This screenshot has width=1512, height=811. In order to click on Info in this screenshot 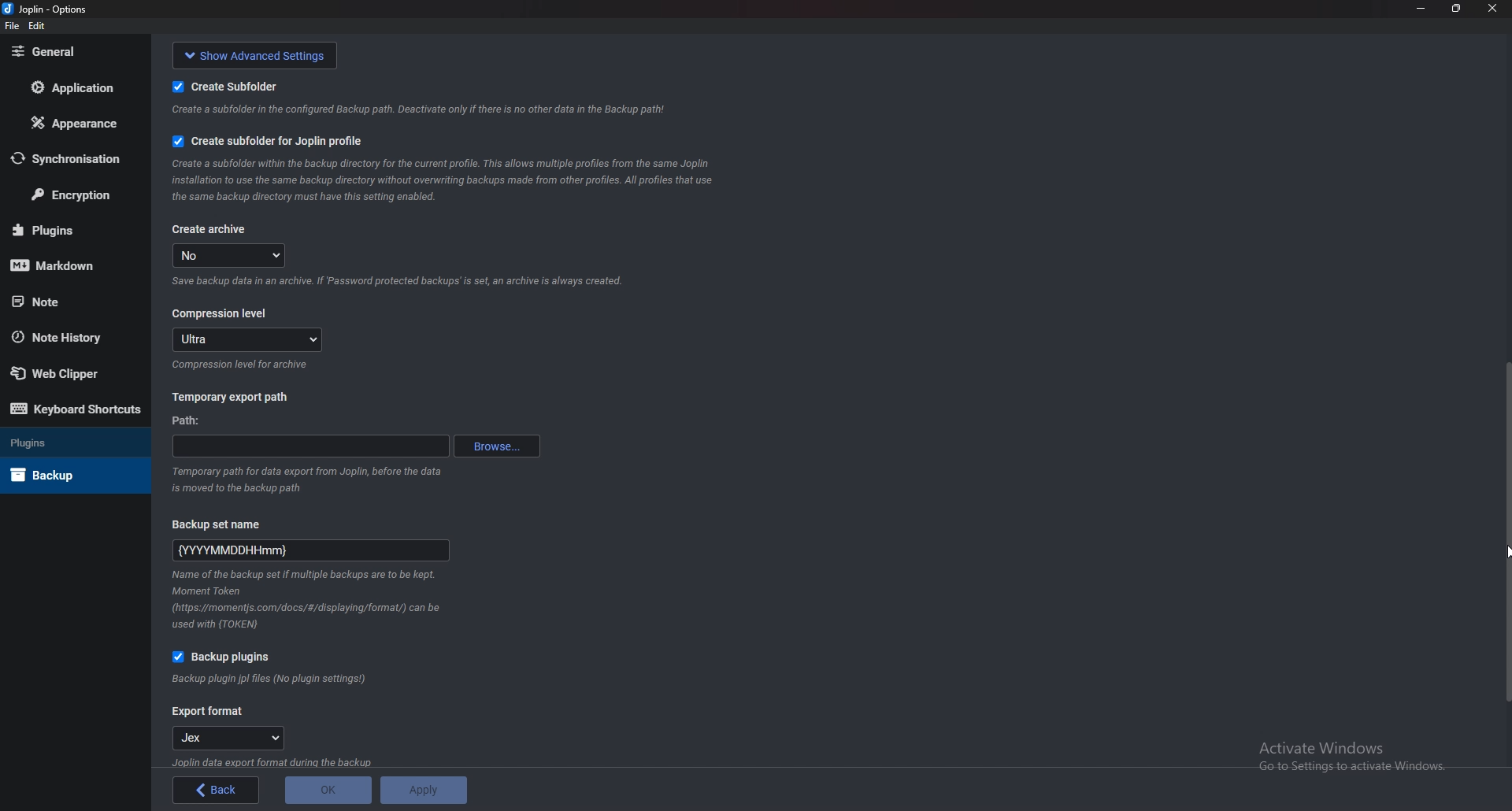, I will do `click(318, 617)`.